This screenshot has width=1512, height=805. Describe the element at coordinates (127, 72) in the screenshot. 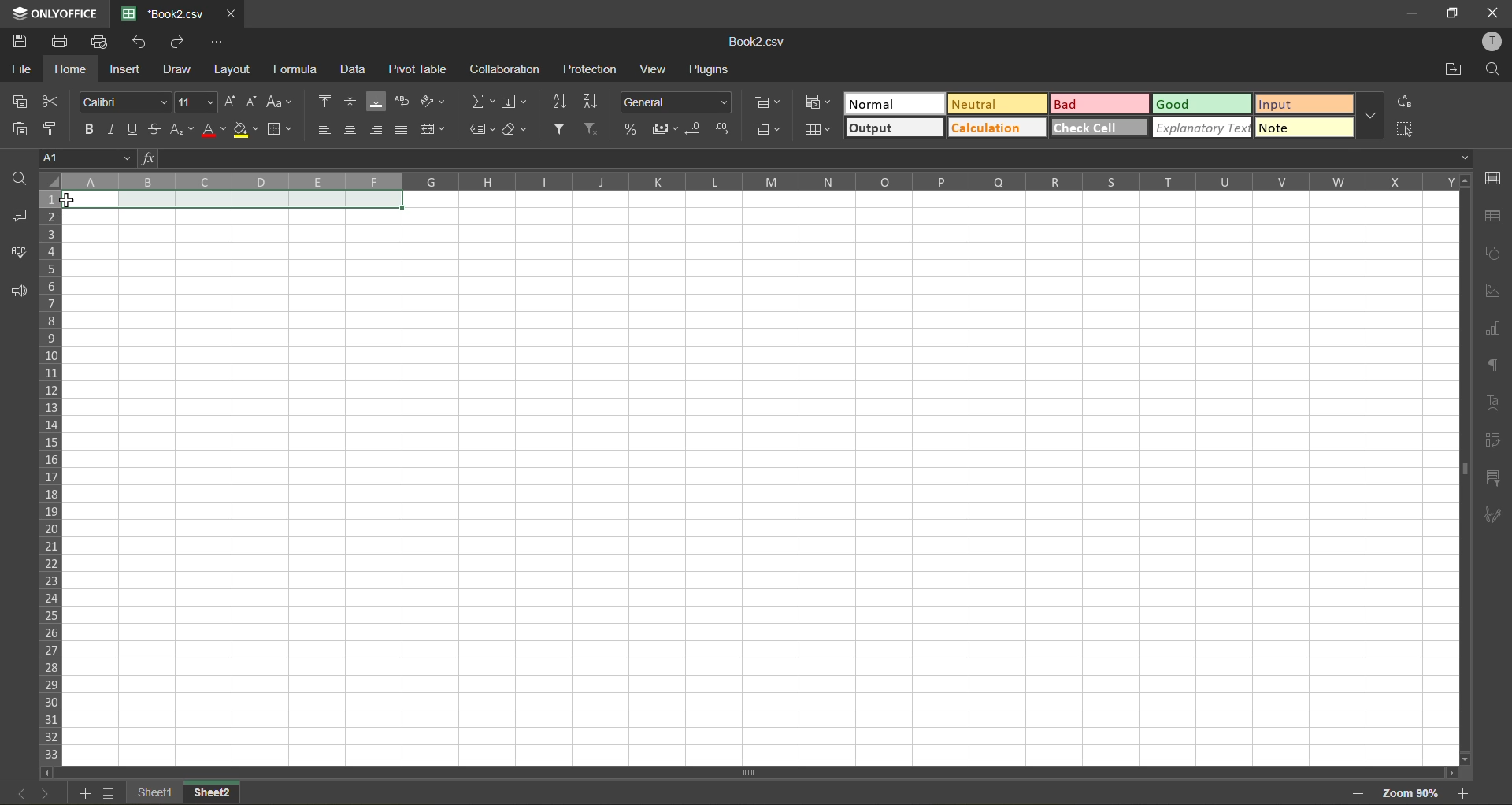

I see `insert` at that location.